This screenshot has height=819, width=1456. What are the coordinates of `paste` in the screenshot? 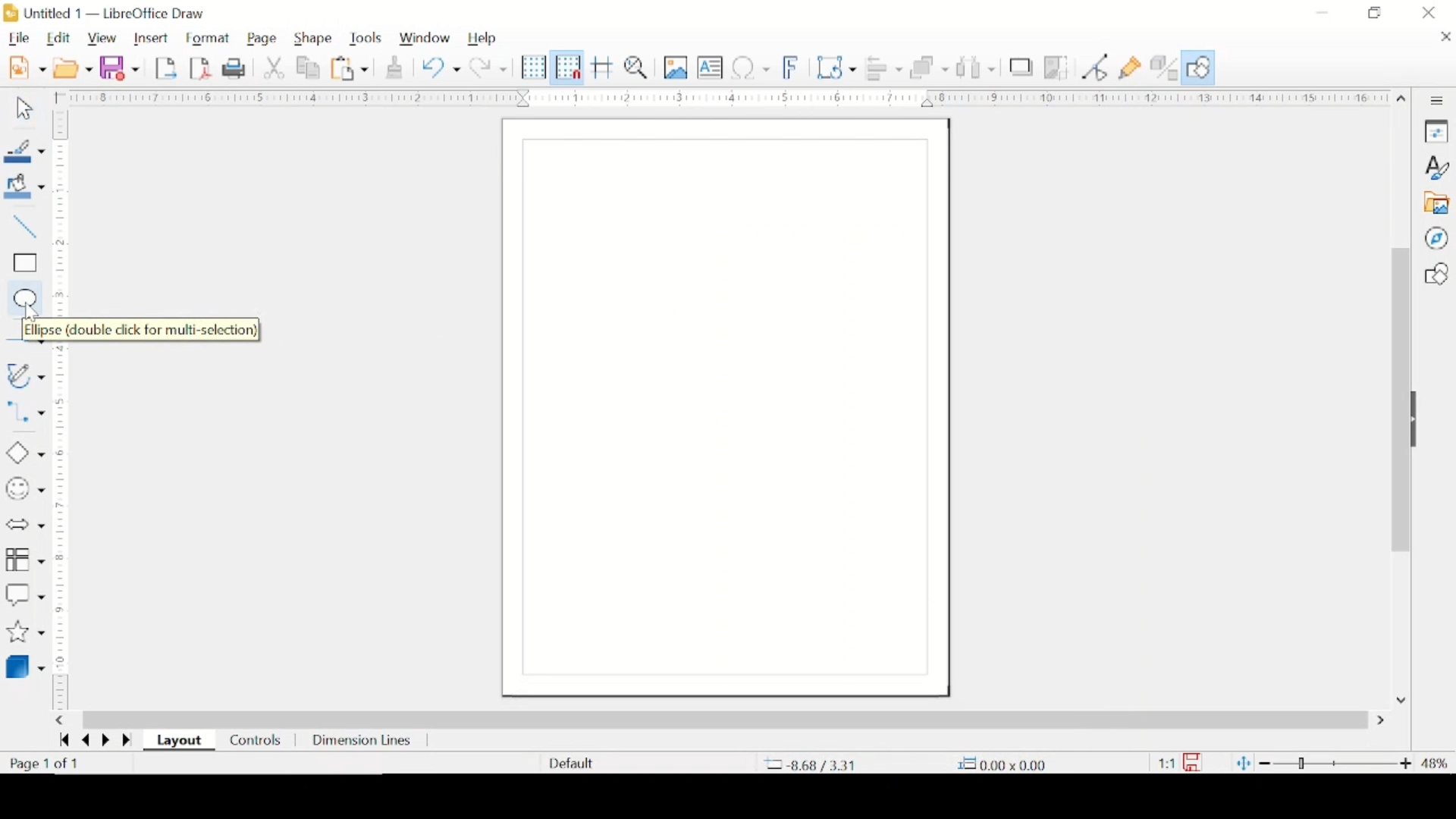 It's located at (351, 69).